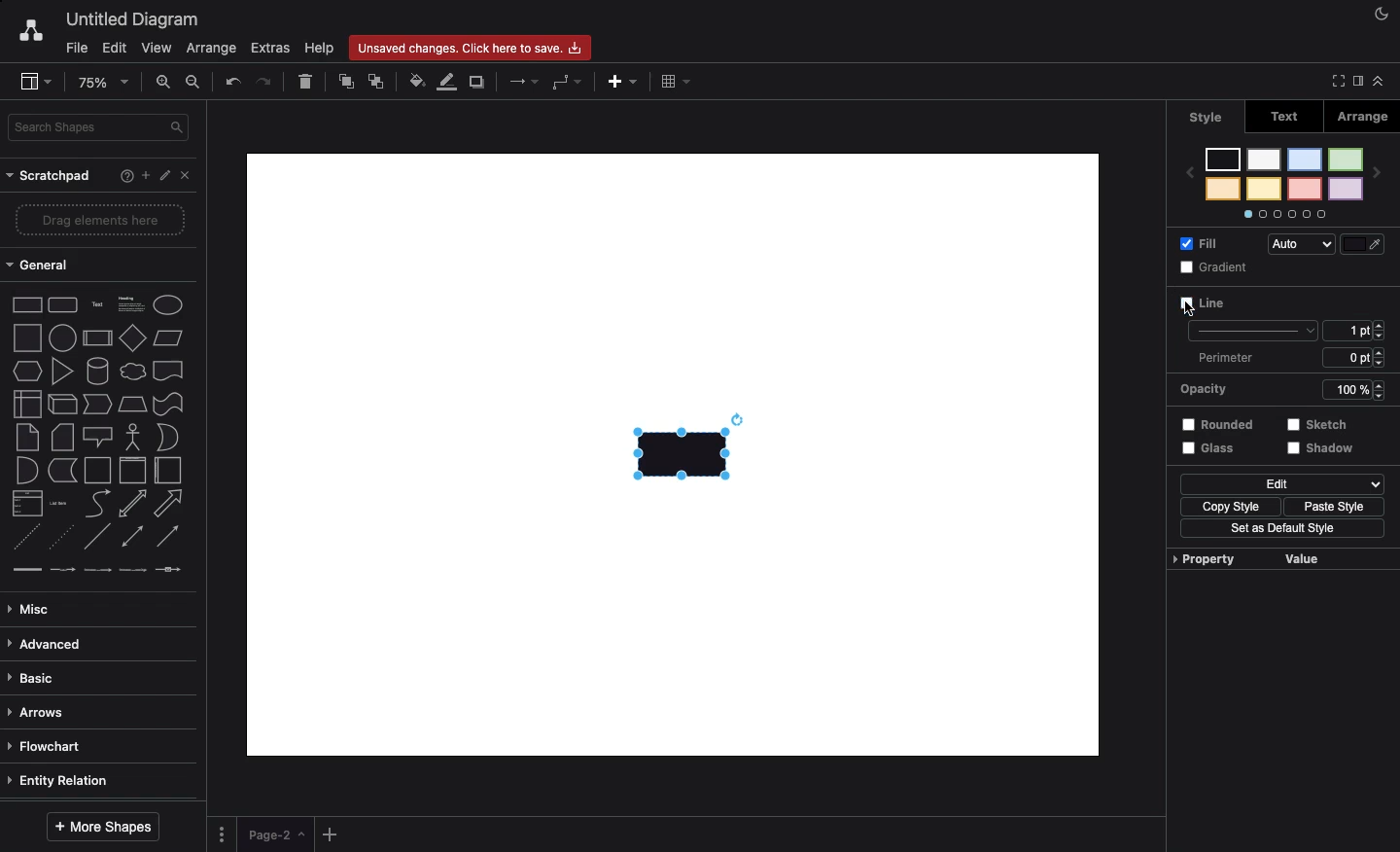 The image size is (1400, 852). What do you see at coordinates (162, 175) in the screenshot?
I see `Edit` at bounding box center [162, 175].